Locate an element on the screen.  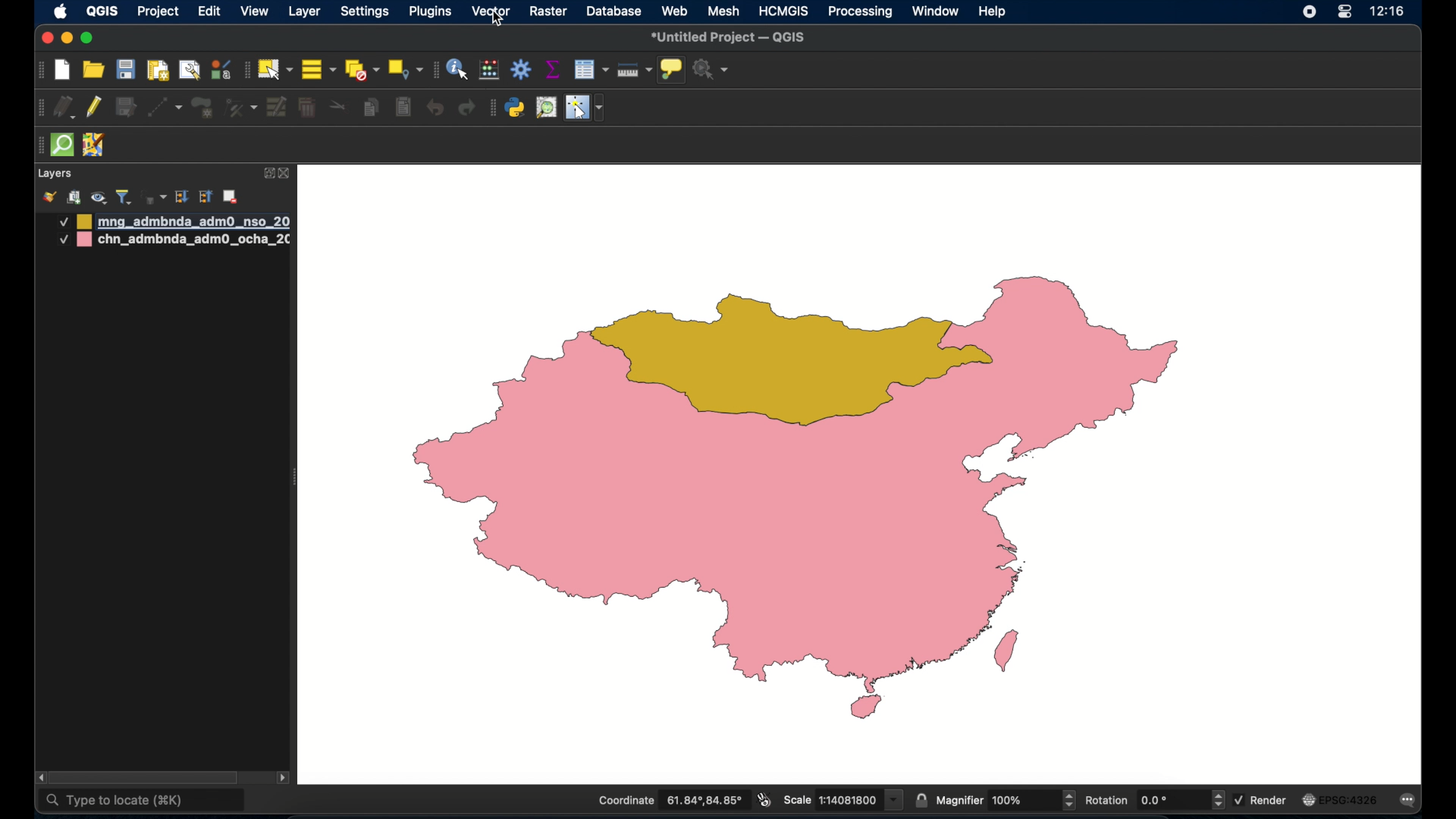
filter legend by expression is located at coordinates (152, 196).